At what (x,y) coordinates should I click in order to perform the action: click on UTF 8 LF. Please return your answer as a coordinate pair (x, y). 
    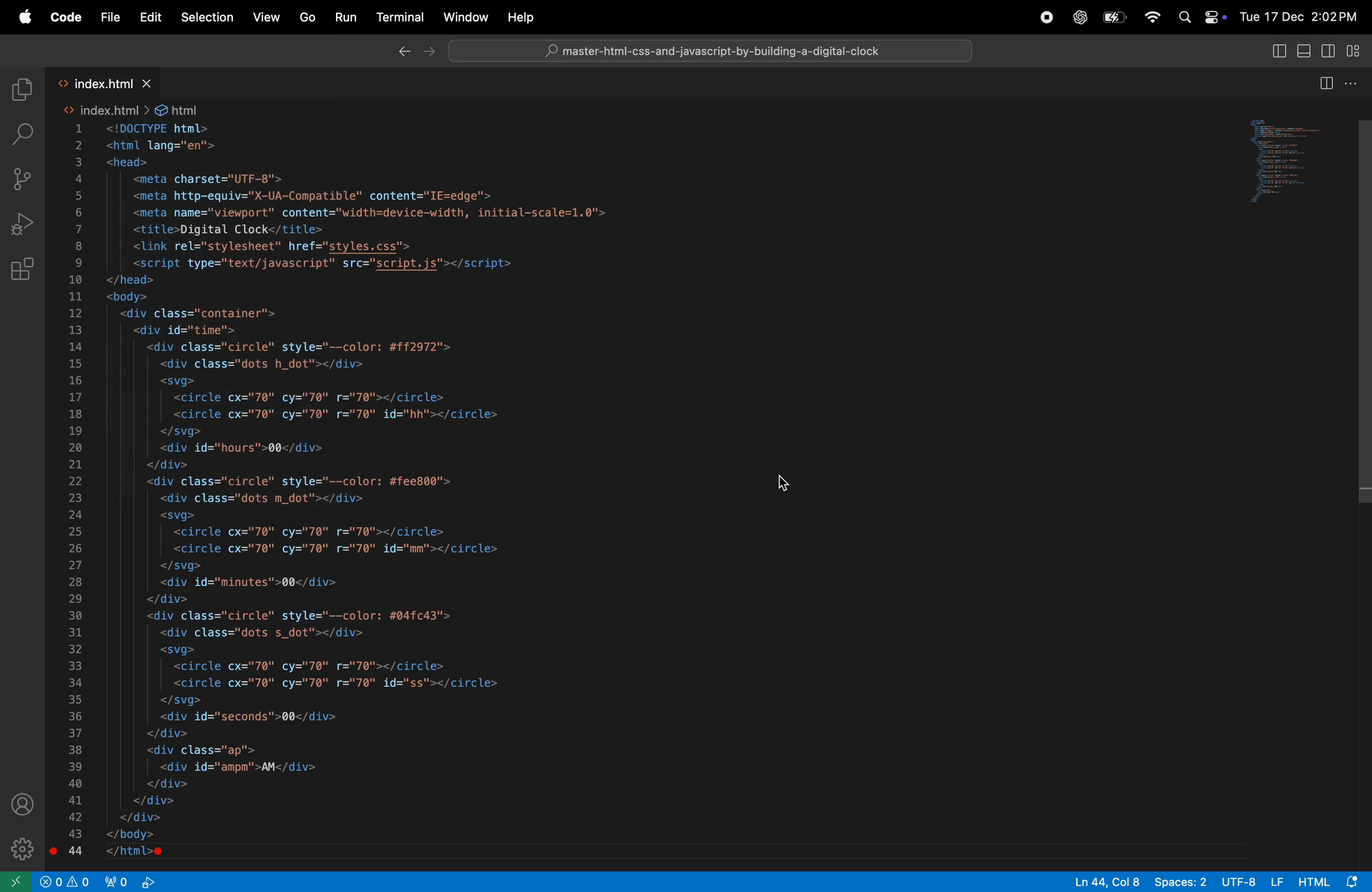
    Looking at the image, I should click on (1254, 881).